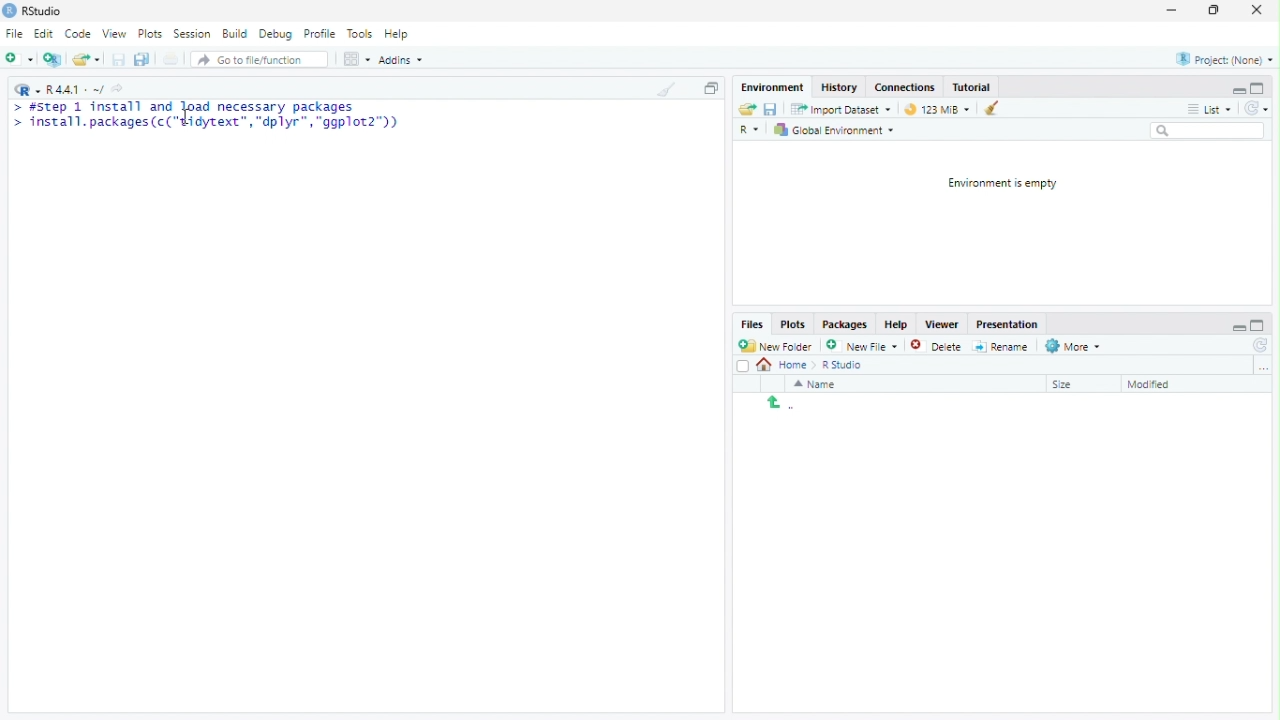  Describe the element at coordinates (794, 325) in the screenshot. I see `Plots` at that location.